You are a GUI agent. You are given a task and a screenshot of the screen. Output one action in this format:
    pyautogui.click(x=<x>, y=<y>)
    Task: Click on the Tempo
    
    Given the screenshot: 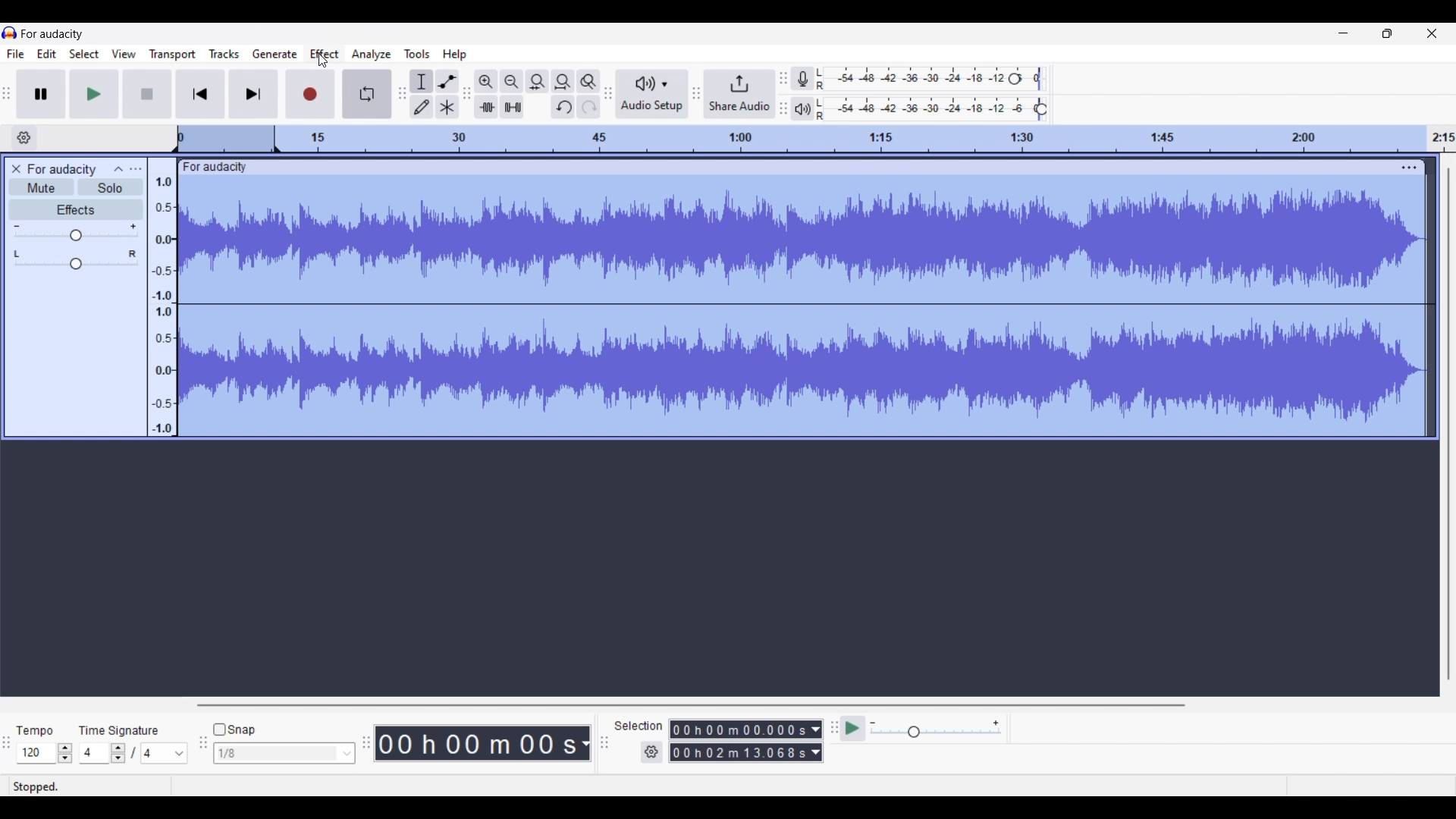 What is the action you would take?
    pyautogui.click(x=36, y=729)
    